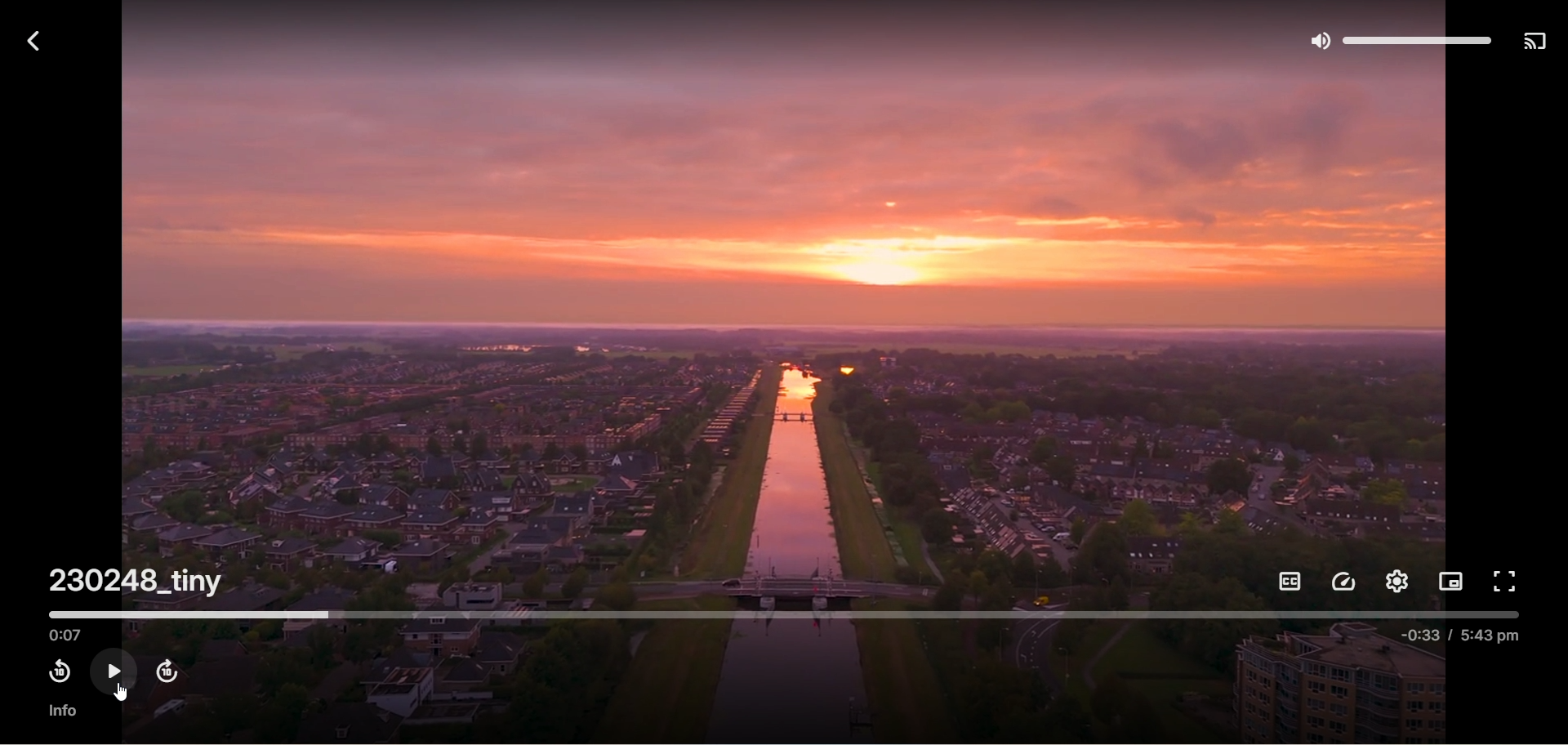  Describe the element at coordinates (60, 673) in the screenshot. I see `rewind` at that location.